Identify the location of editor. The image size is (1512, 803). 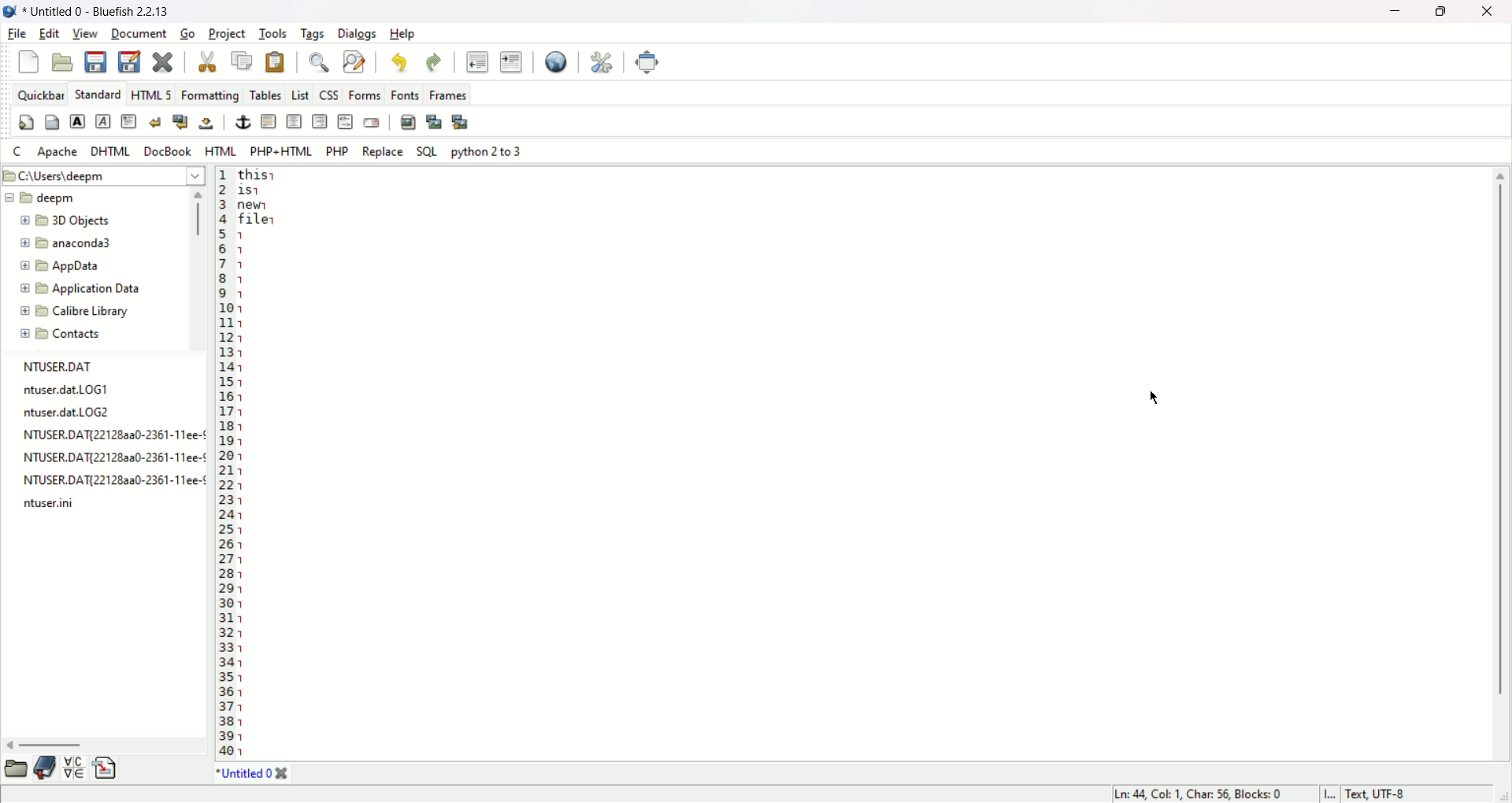
(850, 461).